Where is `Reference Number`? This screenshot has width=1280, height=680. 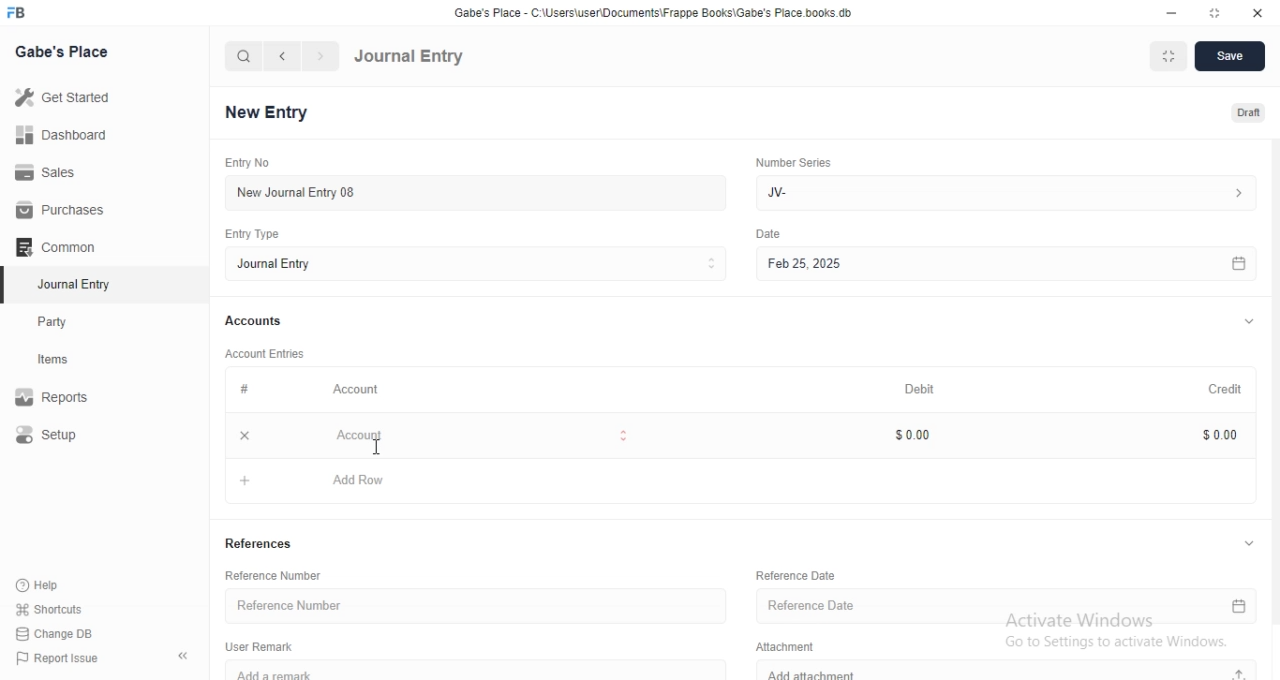 Reference Number is located at coordinates (471, 606).